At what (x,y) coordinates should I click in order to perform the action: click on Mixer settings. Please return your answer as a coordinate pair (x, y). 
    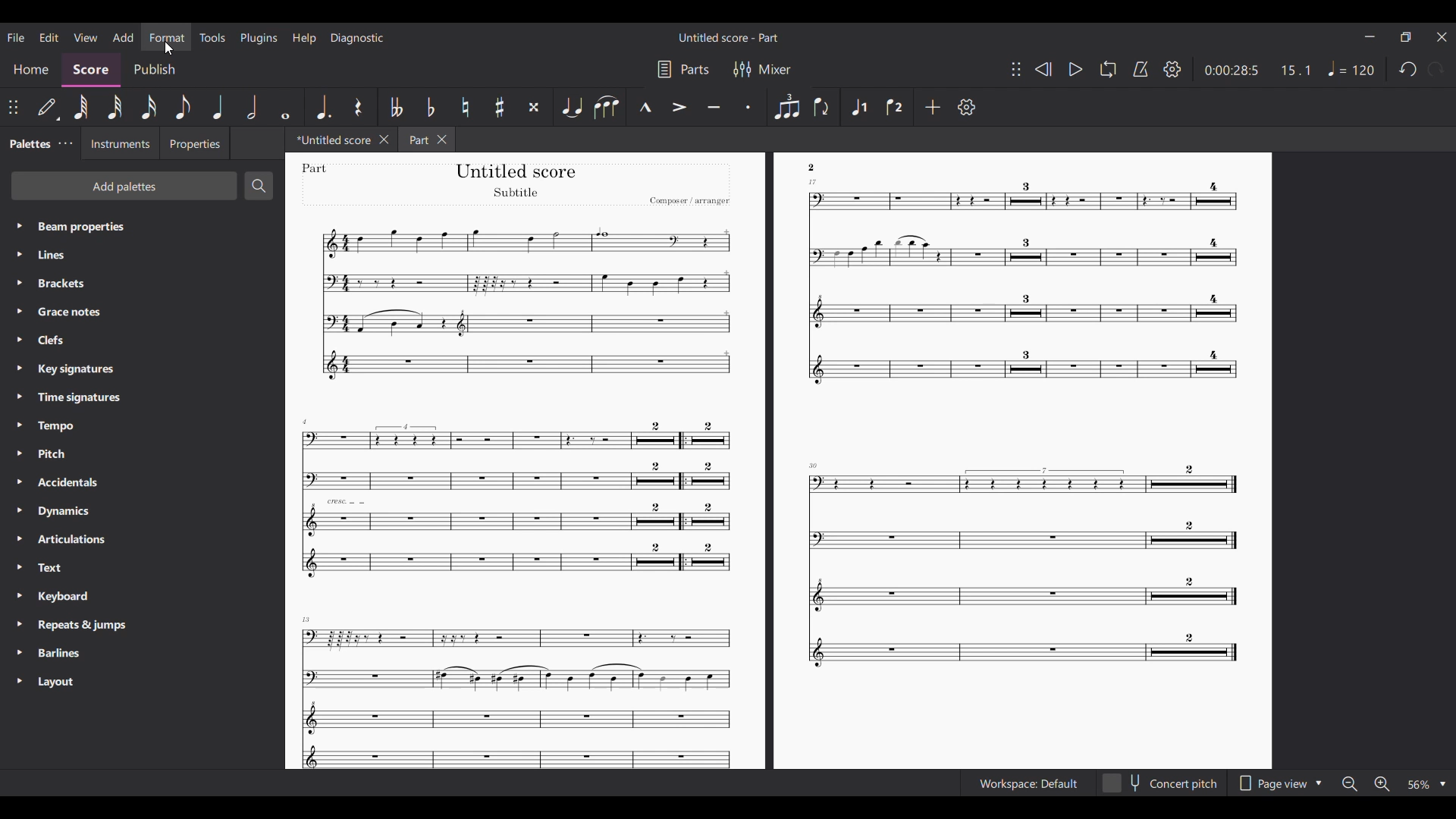
    Looking at the image, I should click on (761, 70).